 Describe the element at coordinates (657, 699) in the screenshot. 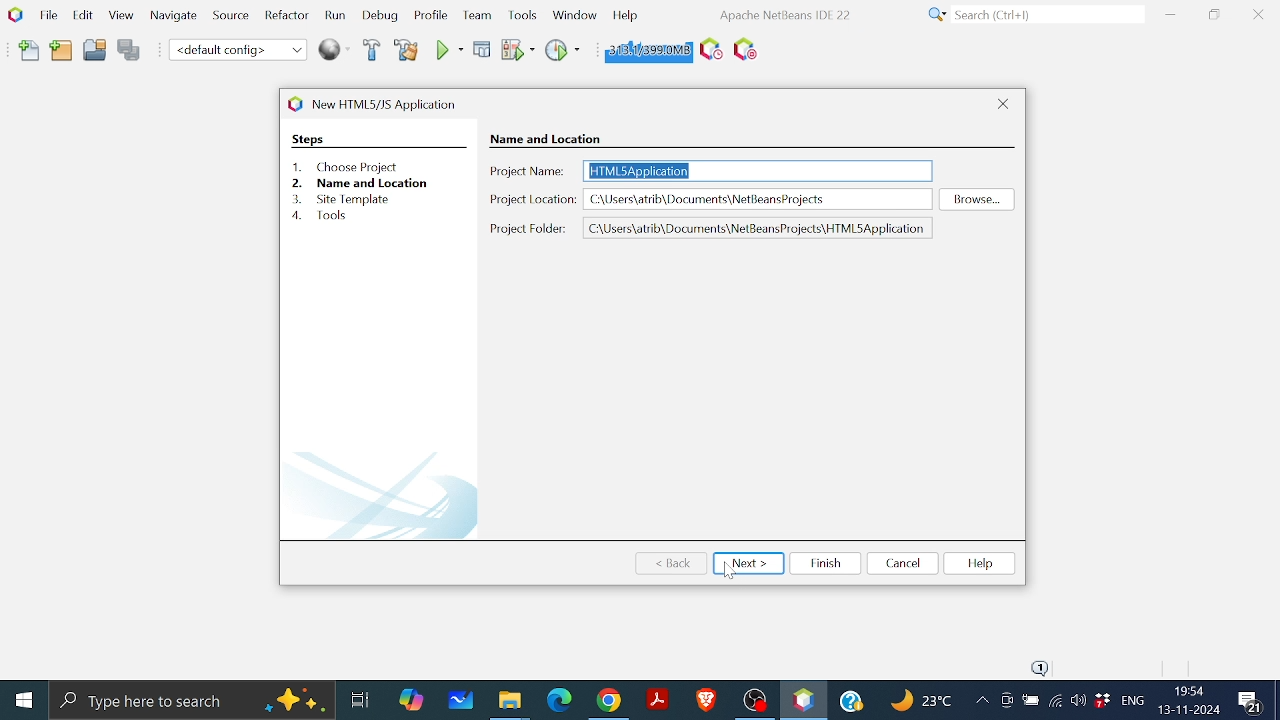

I see `Adobe reader` at that location.